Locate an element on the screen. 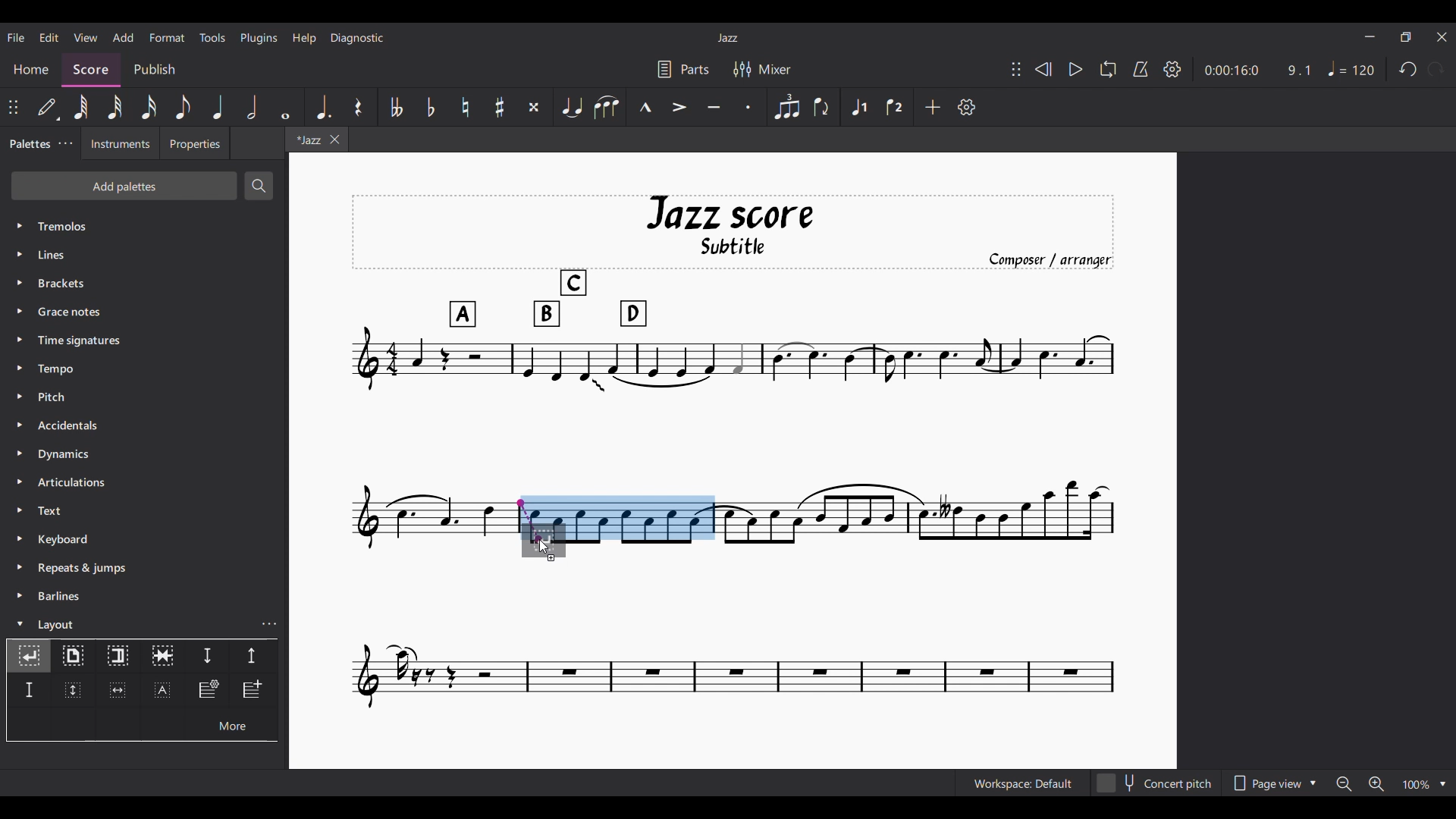 The height and width of the screenshot is (819, 1456). Pitch is located at coordinates (143, 397).